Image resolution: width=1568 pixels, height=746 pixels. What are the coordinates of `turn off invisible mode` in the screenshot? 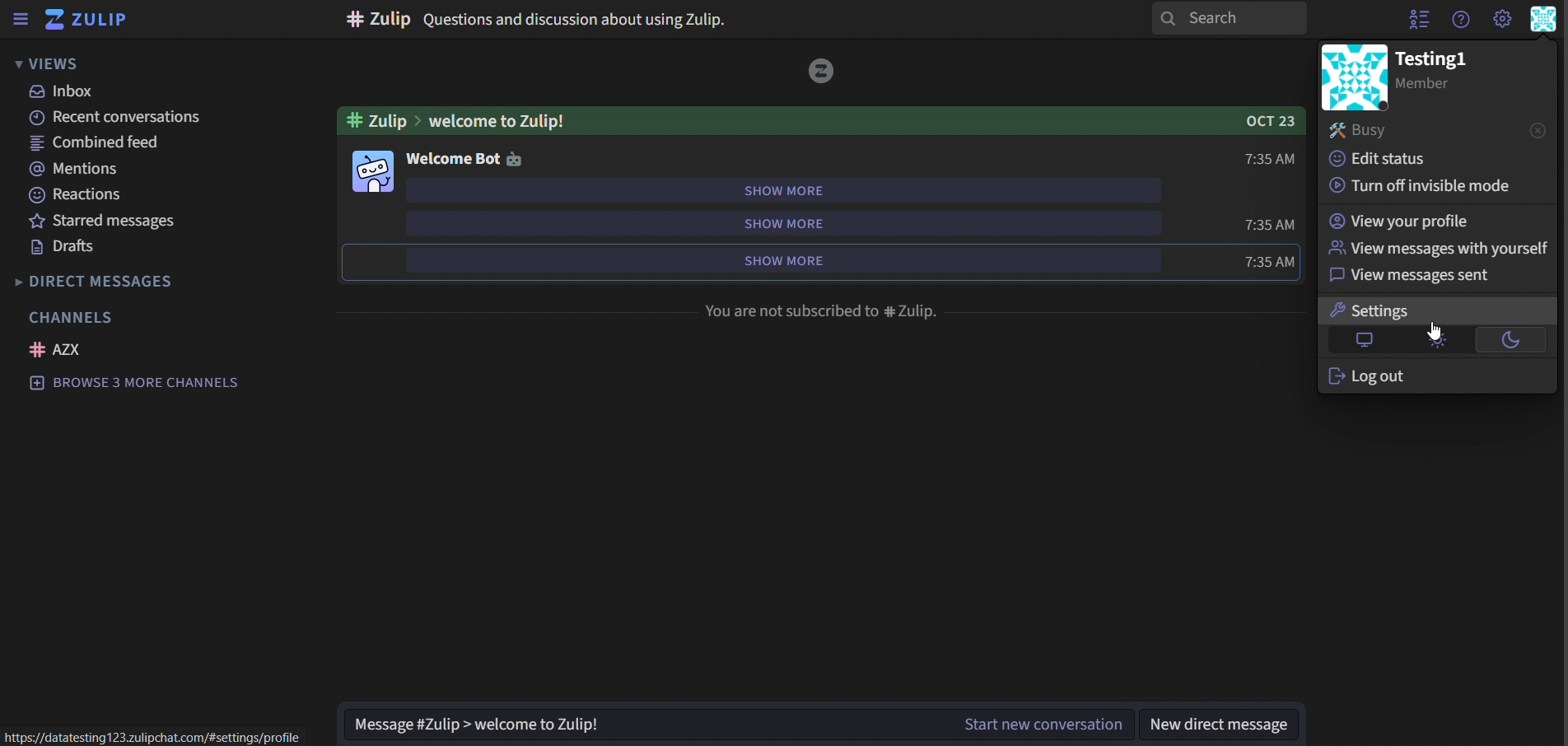 It's located at (1421, 185).